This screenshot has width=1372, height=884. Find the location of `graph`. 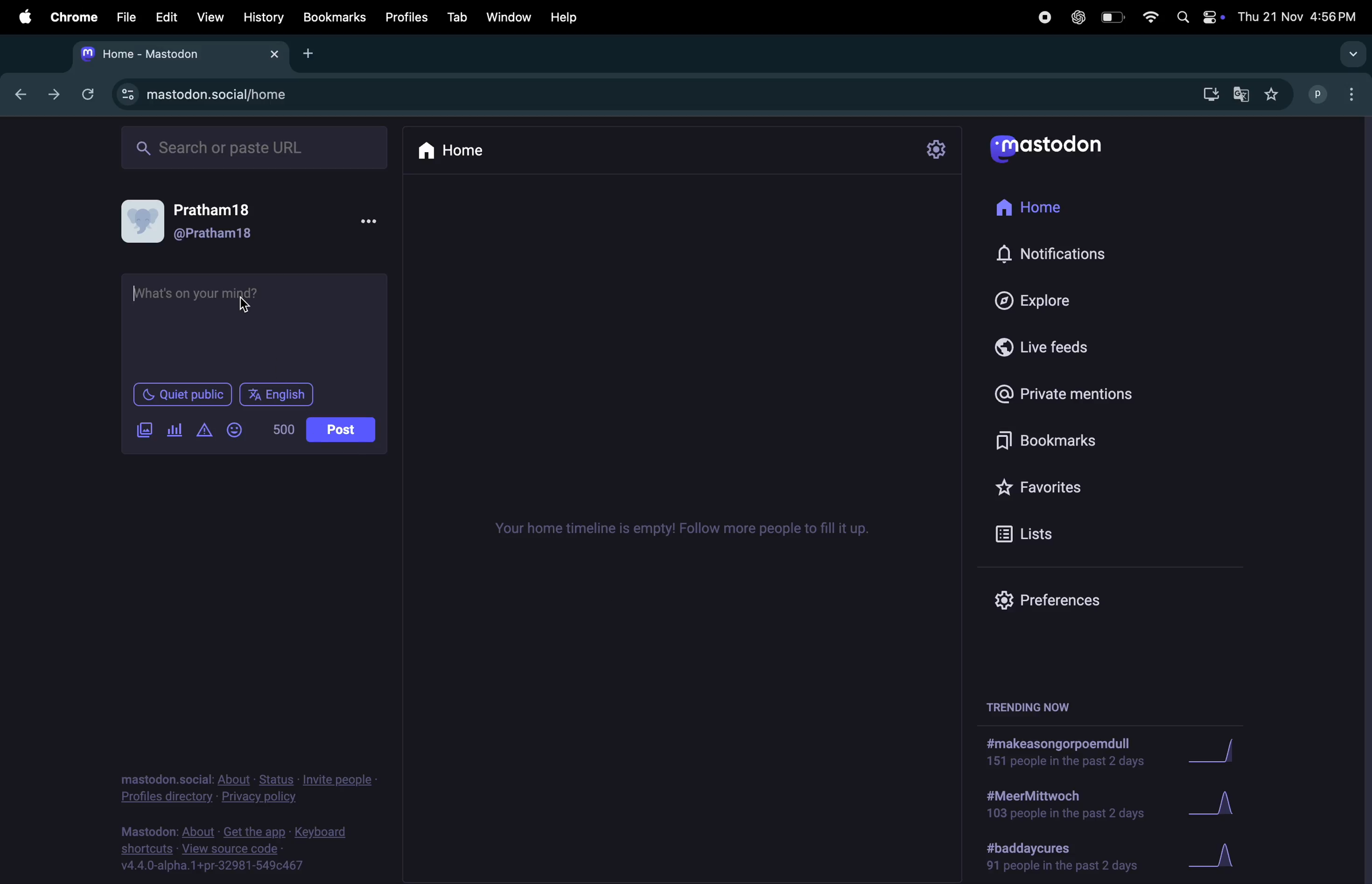

graph is located at coordinates (1218, 753).